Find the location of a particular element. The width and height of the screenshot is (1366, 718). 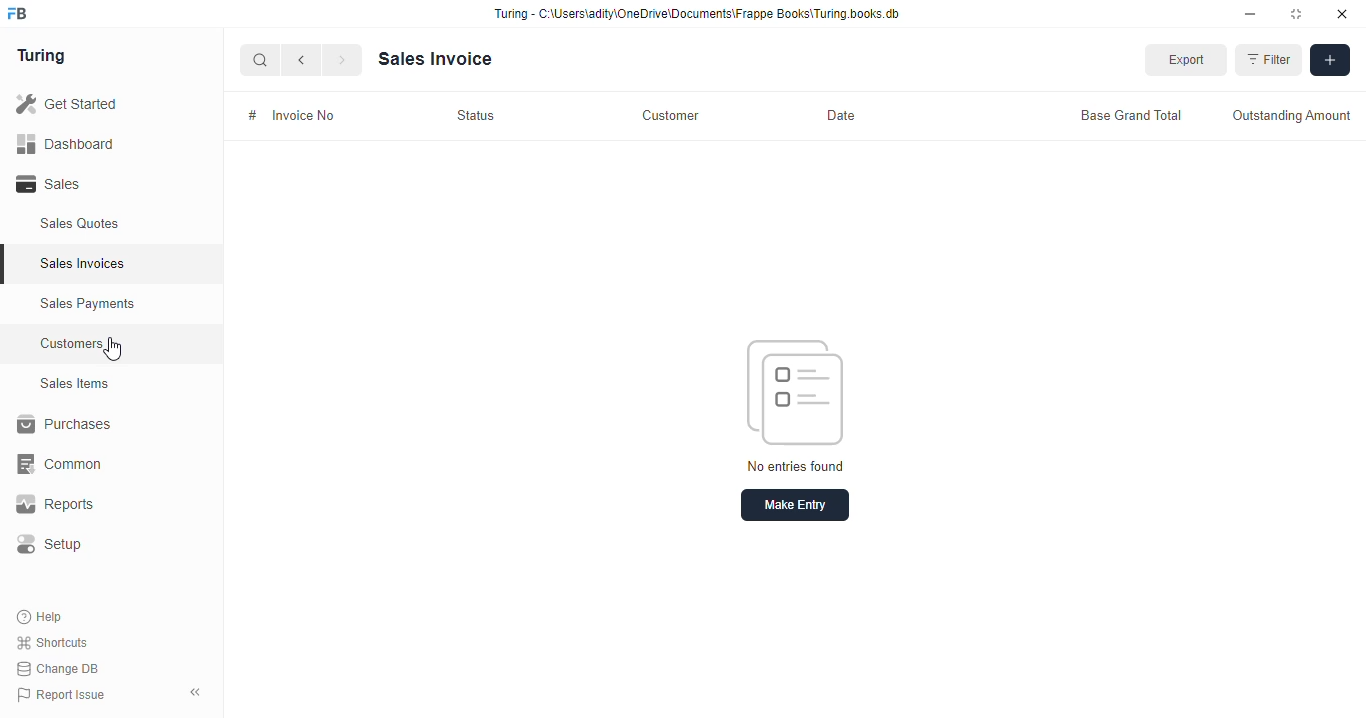

Sales Invoices is located at coordinates (117, 264).